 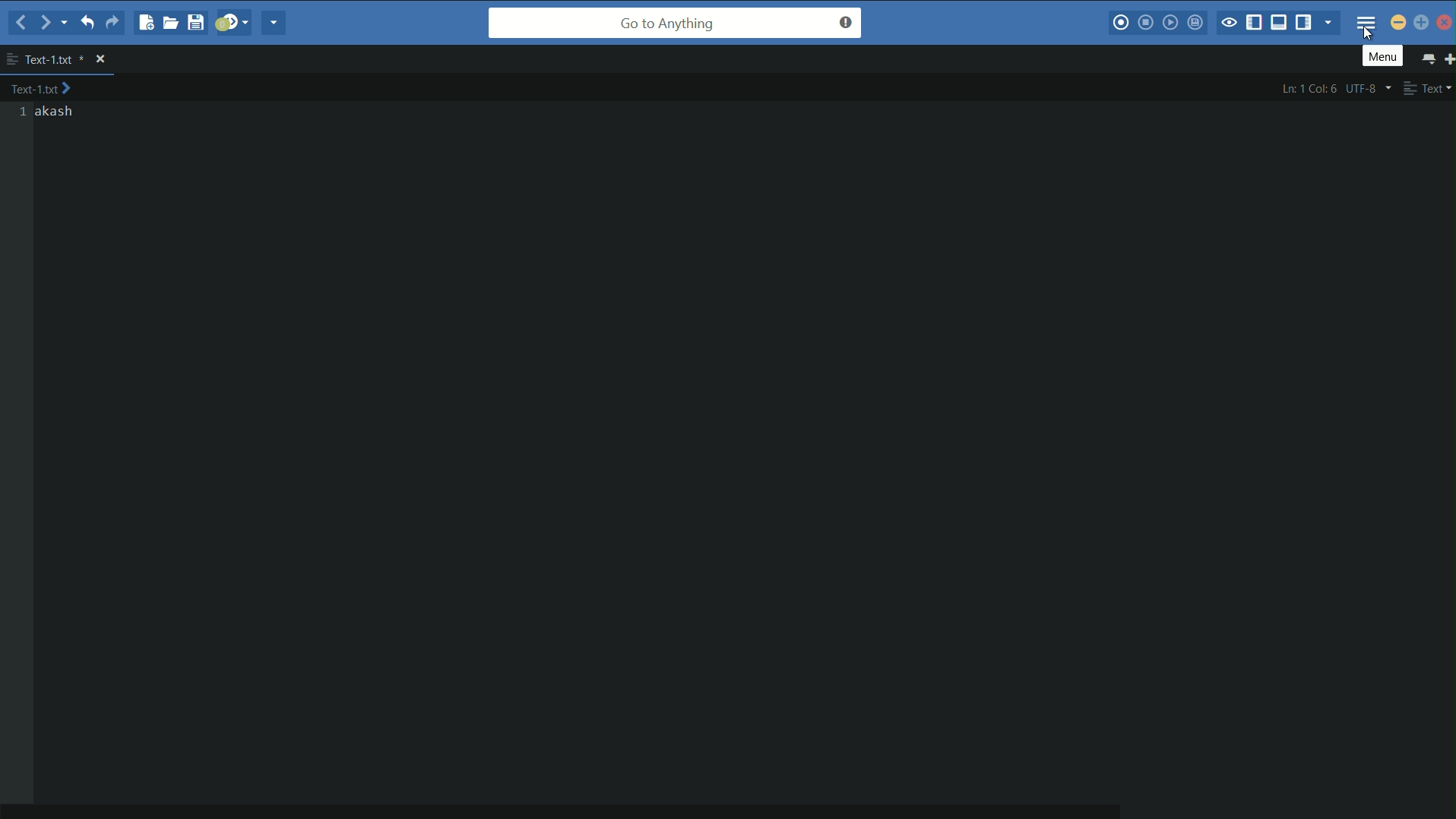 I want to click on show specific sidebar/tab, so click(x=1331, y=23).